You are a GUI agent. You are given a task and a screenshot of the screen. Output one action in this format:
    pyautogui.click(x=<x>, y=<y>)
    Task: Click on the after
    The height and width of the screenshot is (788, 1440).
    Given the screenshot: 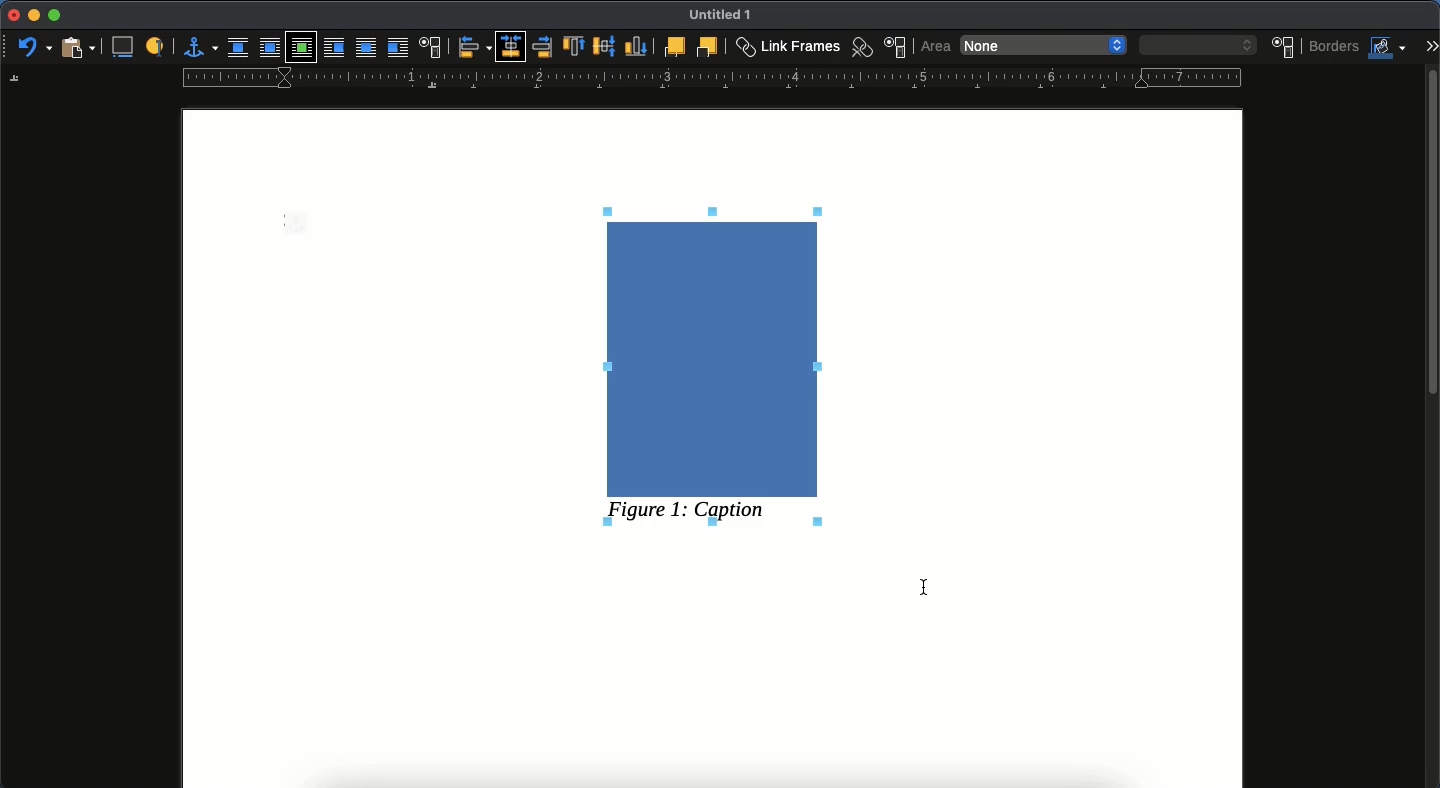 What is the action you would take?
    pyautogui.click(x=398, y=47)
    